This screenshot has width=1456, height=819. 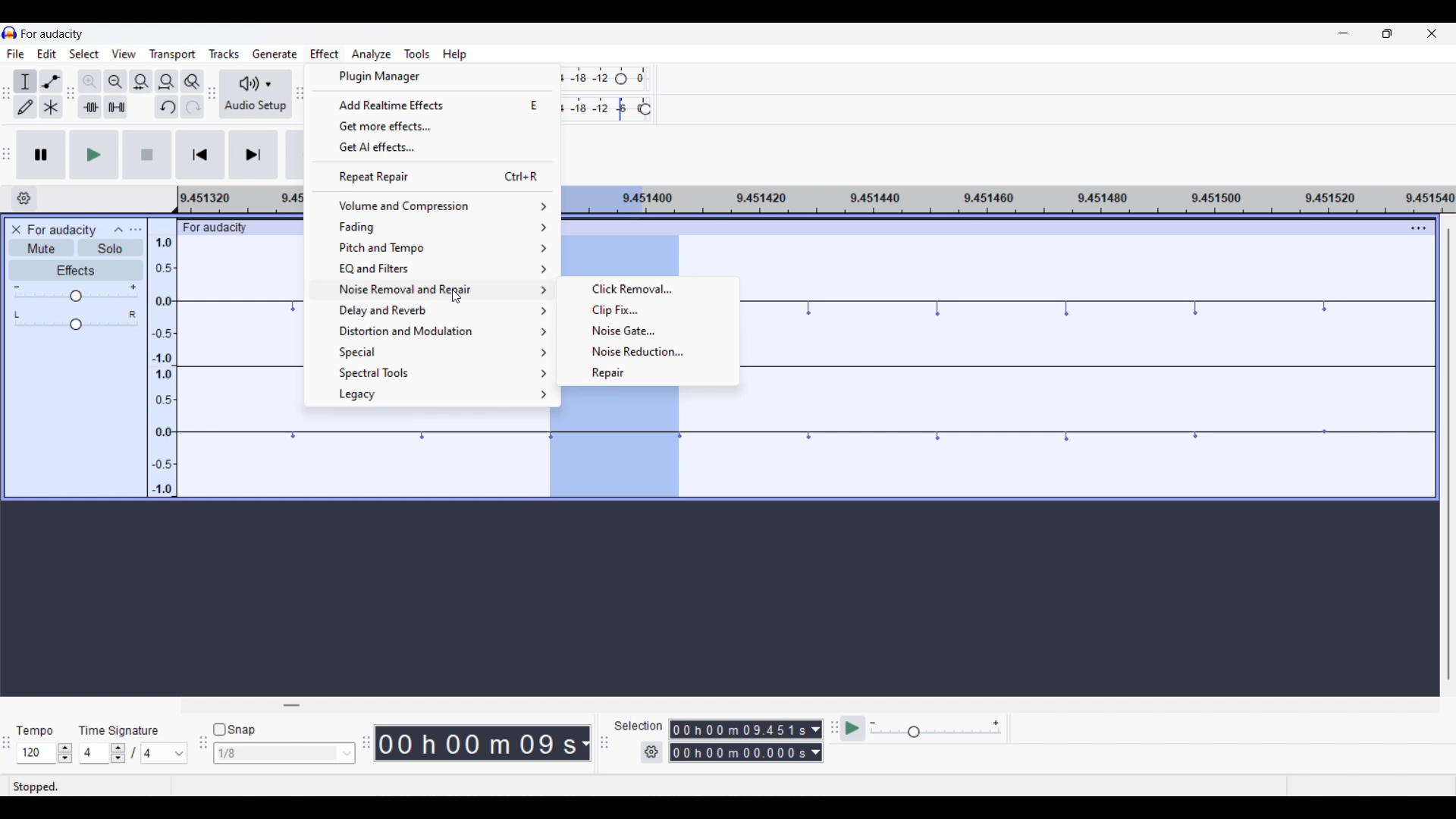 I want to click on Trim audio outside selection, so click(x=91, y=107).